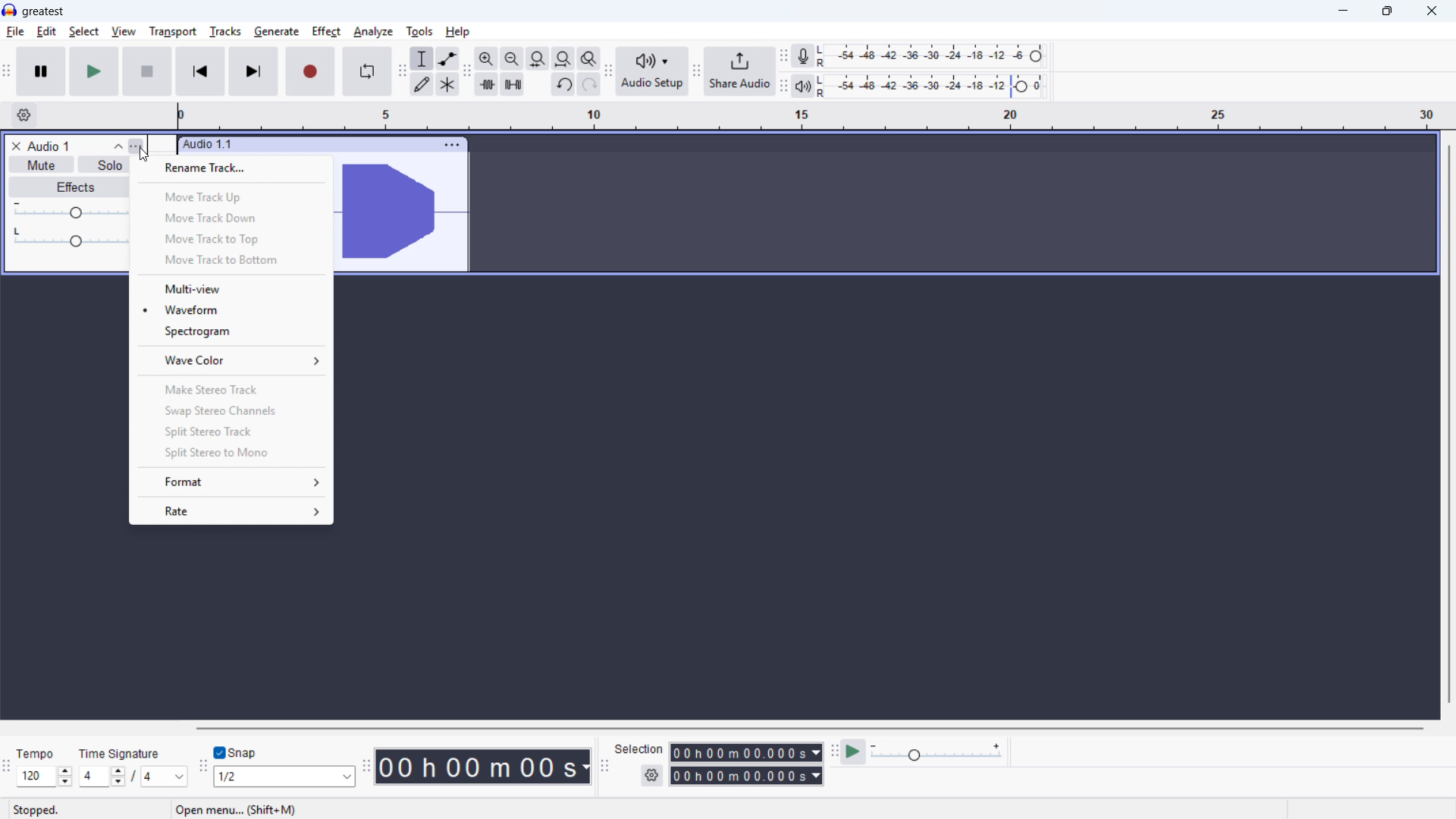 This screenshot has width=1456, height=819. Describe the element at coordinates (421, 59) in the screenshot. I see `selection tool` at that location.